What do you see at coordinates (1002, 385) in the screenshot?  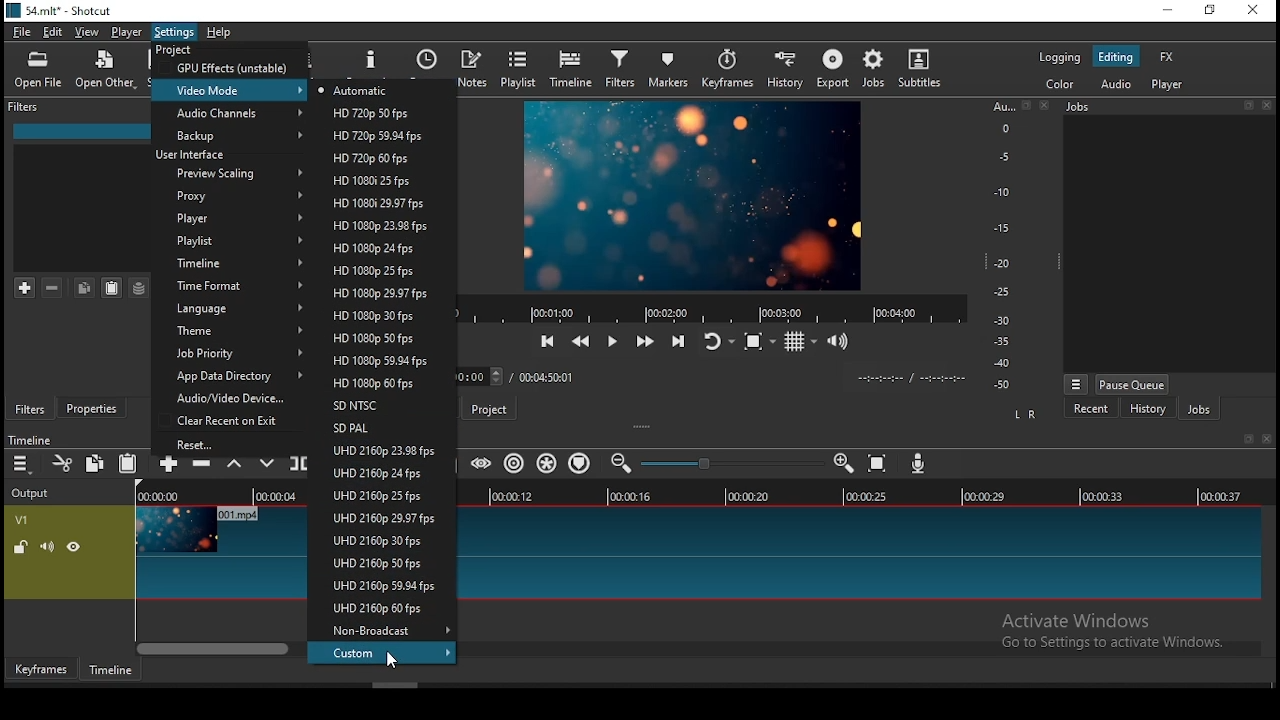 I see `-50` at bounding box center [1002, 385].